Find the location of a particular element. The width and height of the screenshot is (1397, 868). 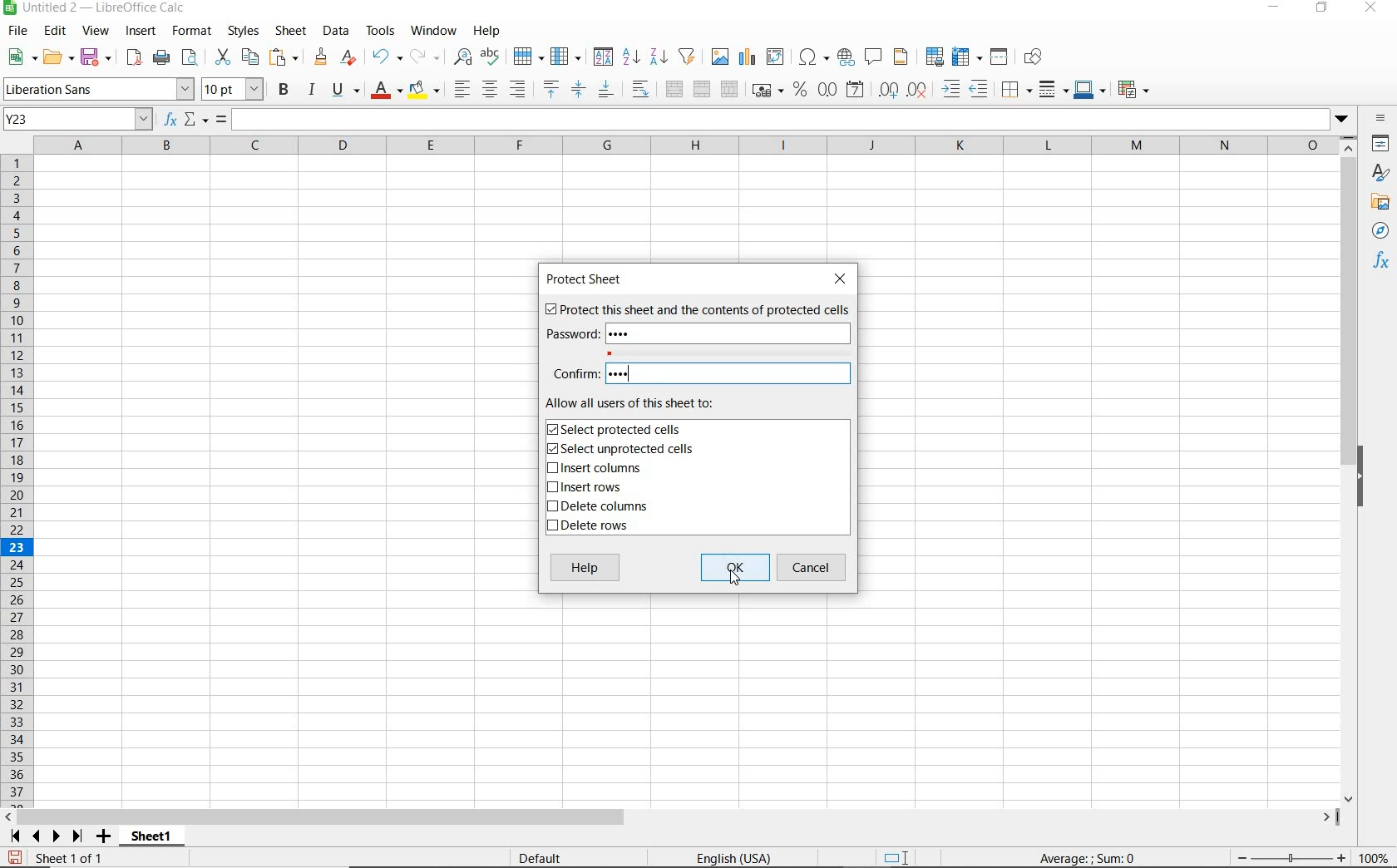

ITALIC is located at coordinates (313, 91).